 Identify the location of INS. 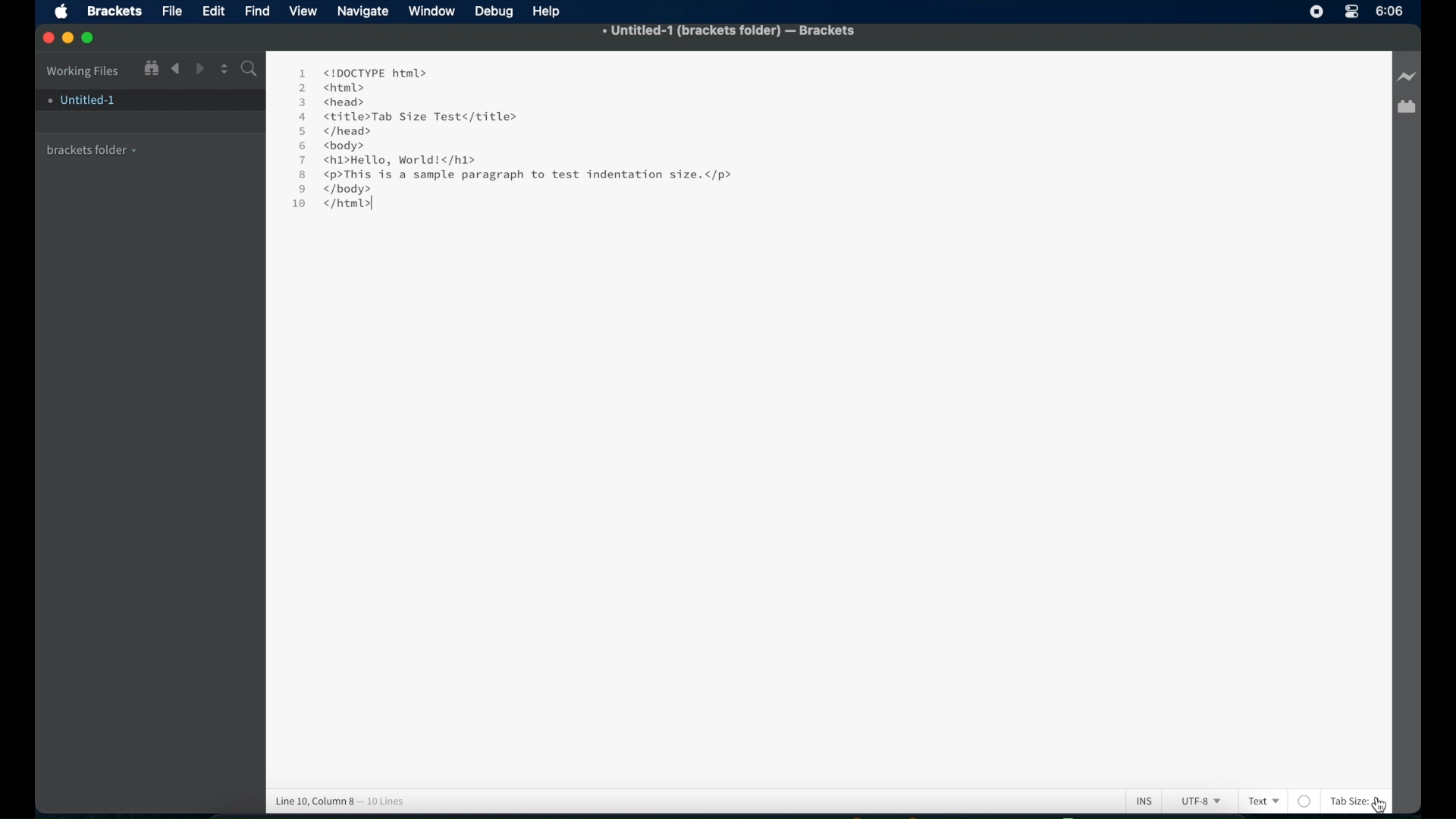
(1144, 800).